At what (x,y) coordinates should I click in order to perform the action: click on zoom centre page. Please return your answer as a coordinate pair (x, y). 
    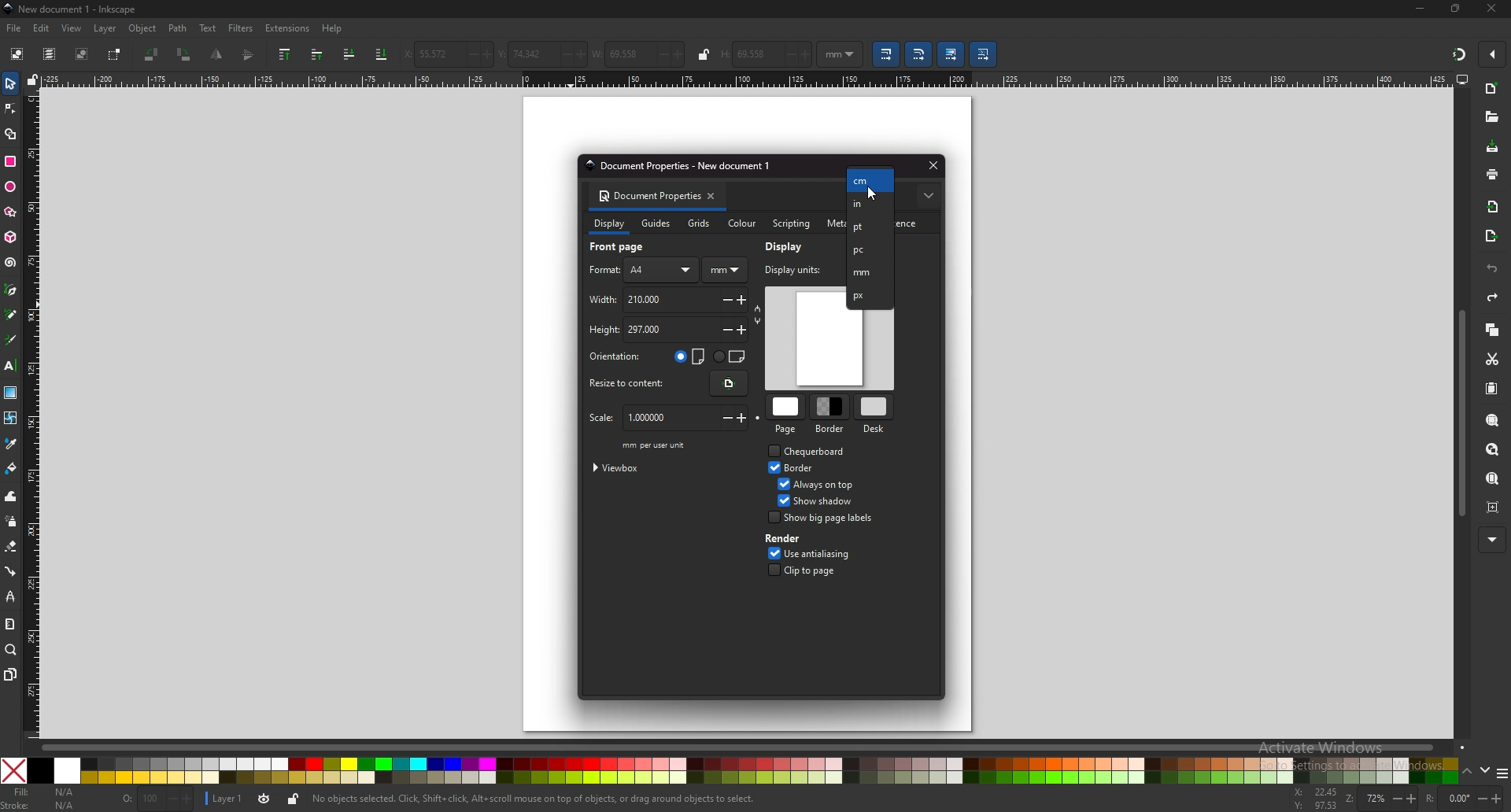
    Looking at the image, I should click on (1494, 507).